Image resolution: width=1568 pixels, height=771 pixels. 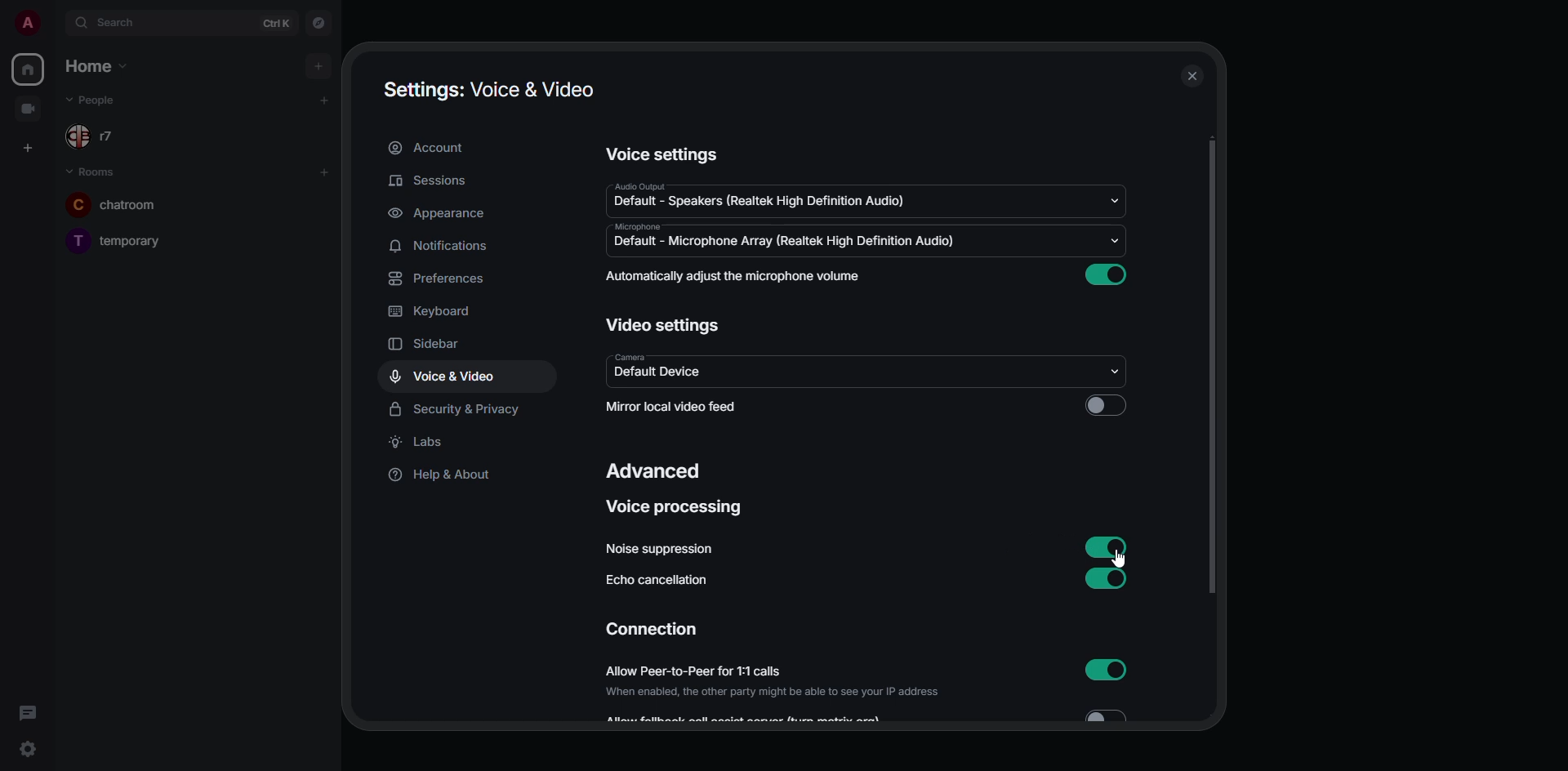 What do you see at coordinates (639, 185) in the screenshot?
I see `audio output` at bounding box center [639, 185].